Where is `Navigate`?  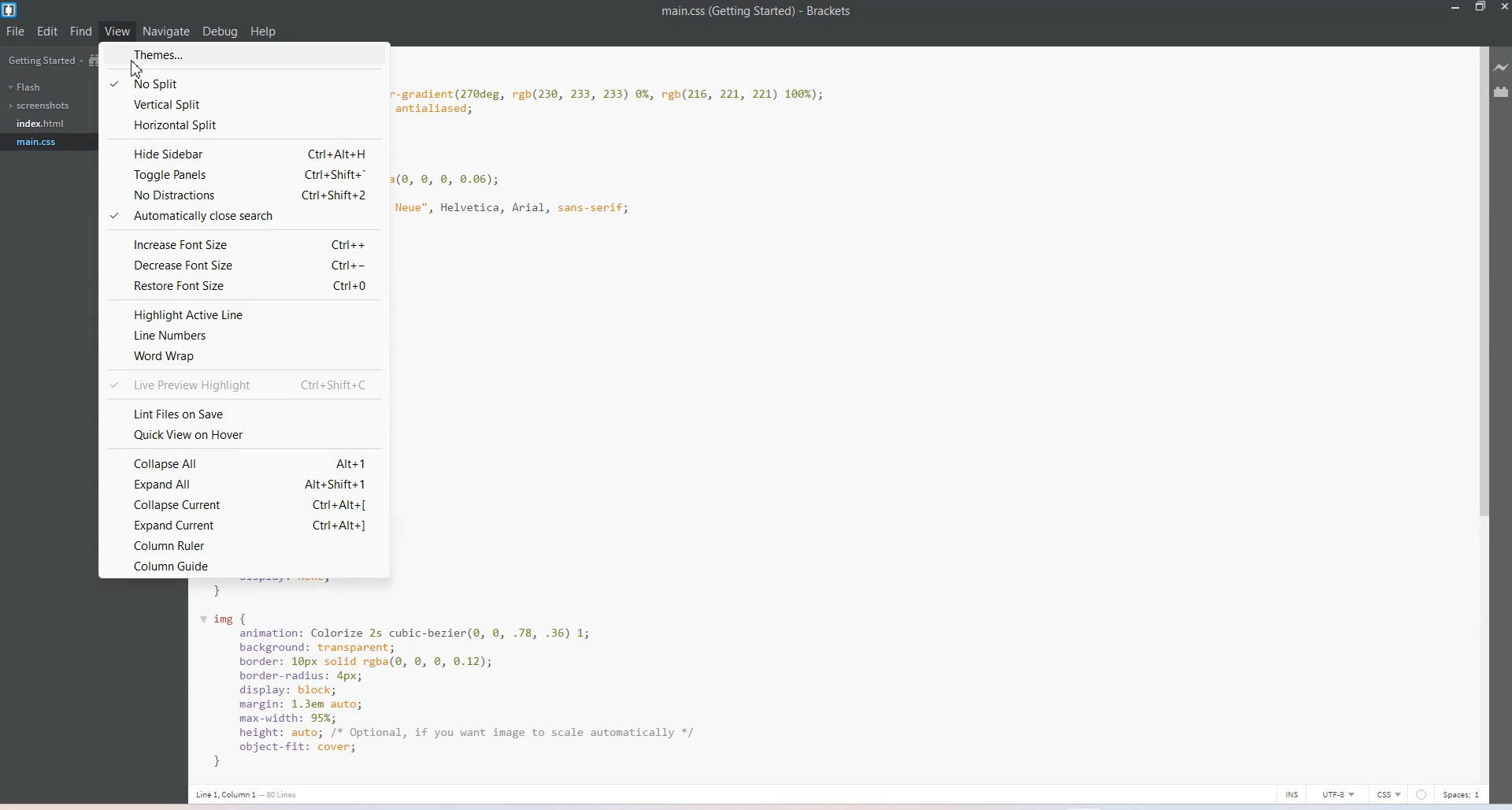 Navigate is located at coordinates (166, 32).